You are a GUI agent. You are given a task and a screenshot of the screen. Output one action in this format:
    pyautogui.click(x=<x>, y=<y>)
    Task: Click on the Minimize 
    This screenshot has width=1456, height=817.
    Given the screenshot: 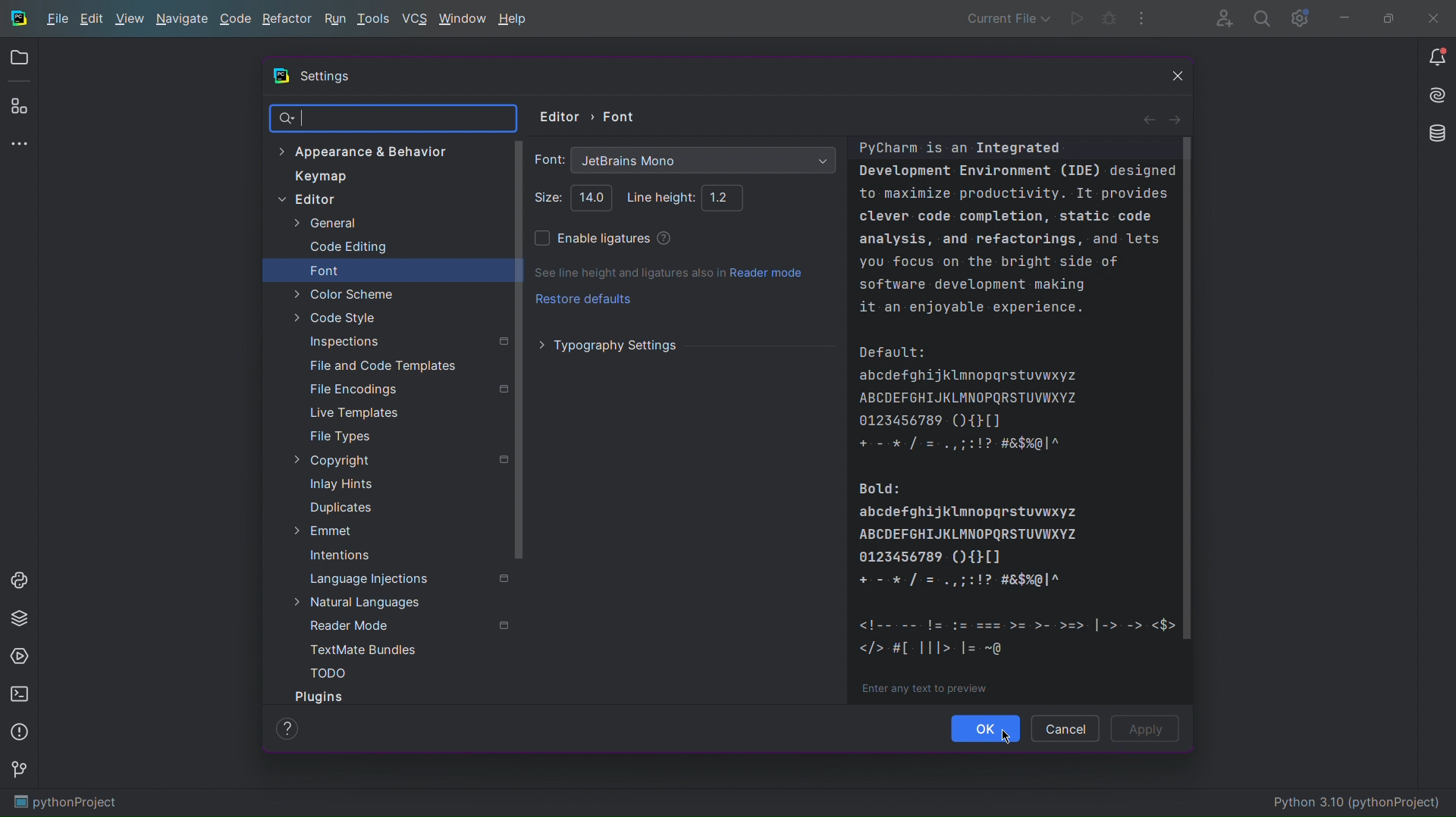 What is the action you would take?
    pyautogui.click(x=1344, y=18)
    